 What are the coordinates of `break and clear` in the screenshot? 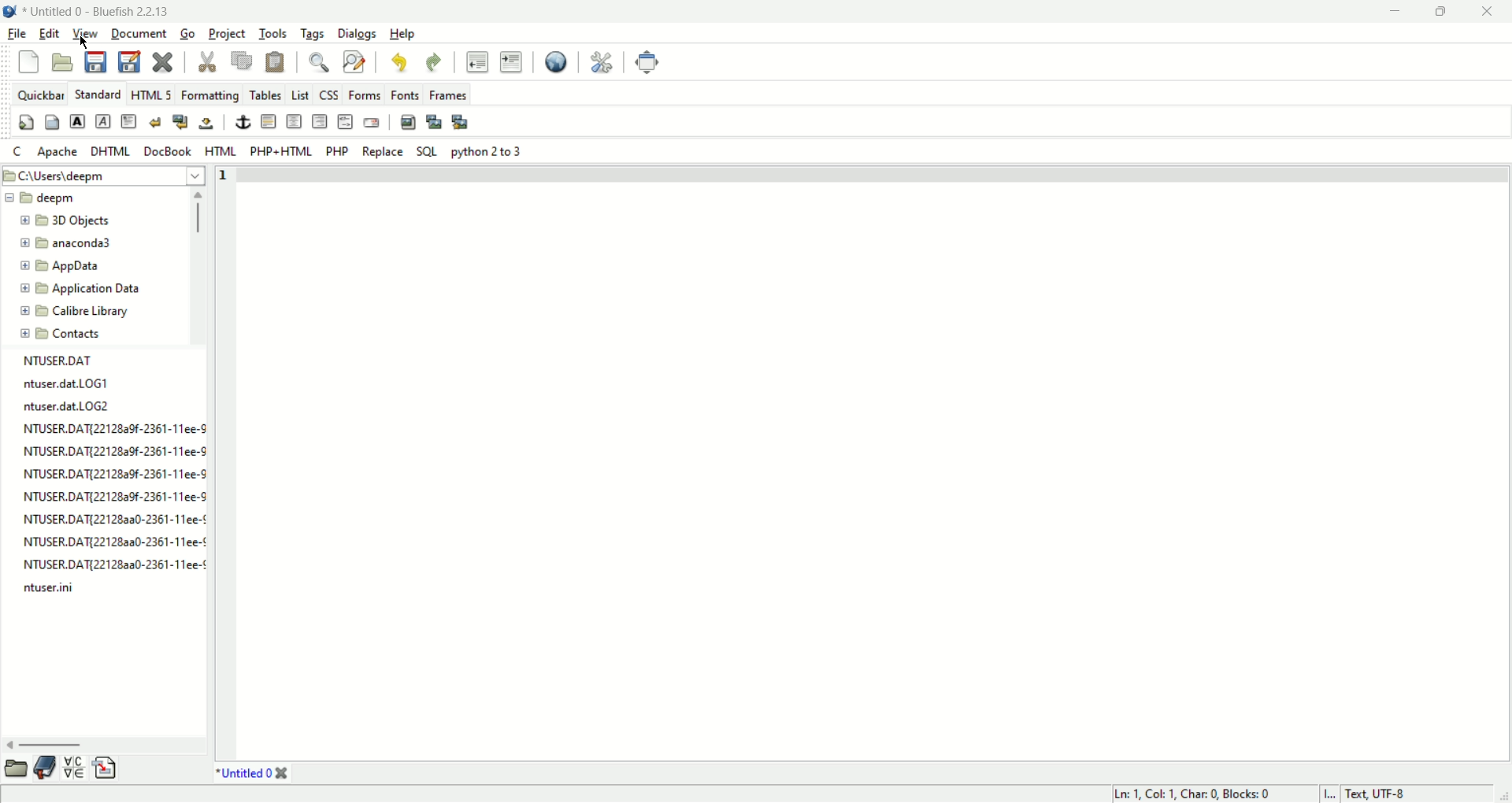 It's located at (180, 123).